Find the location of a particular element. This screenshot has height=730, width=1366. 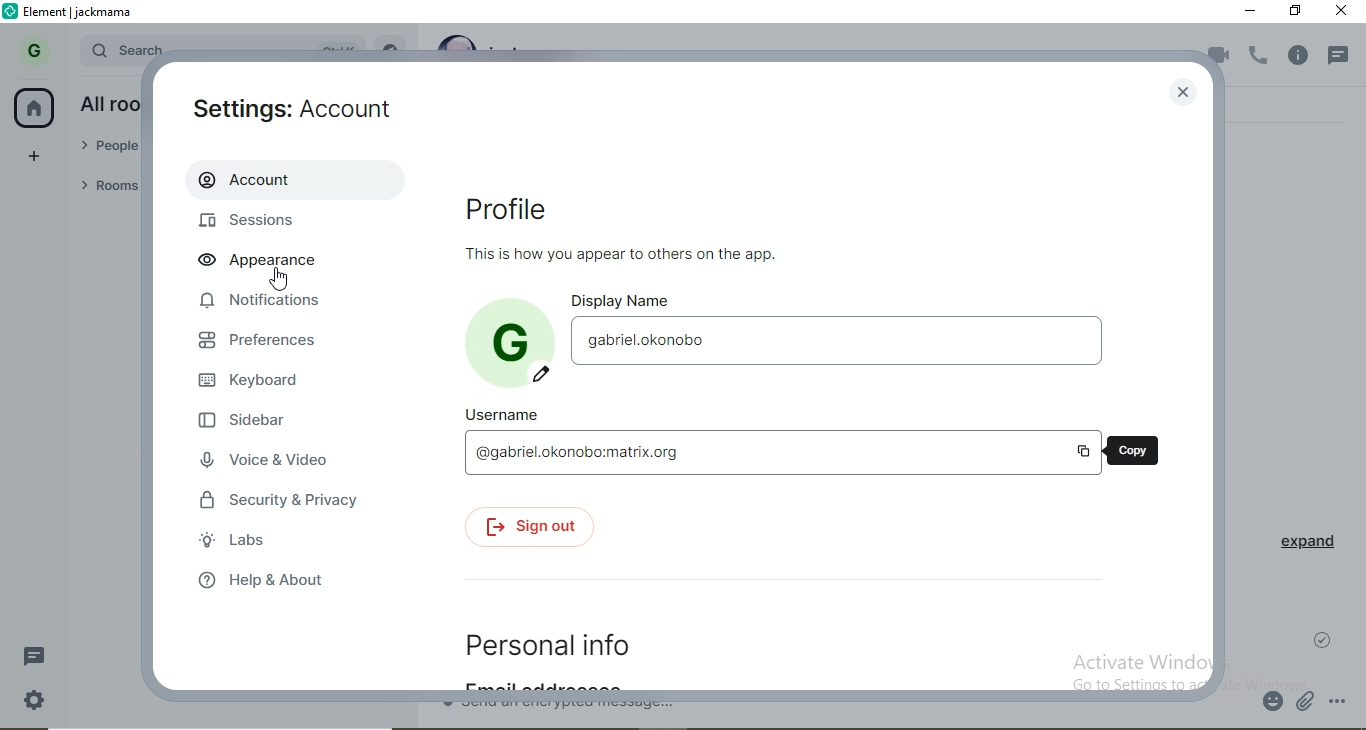

notifications is located at coordinates (264, 301).